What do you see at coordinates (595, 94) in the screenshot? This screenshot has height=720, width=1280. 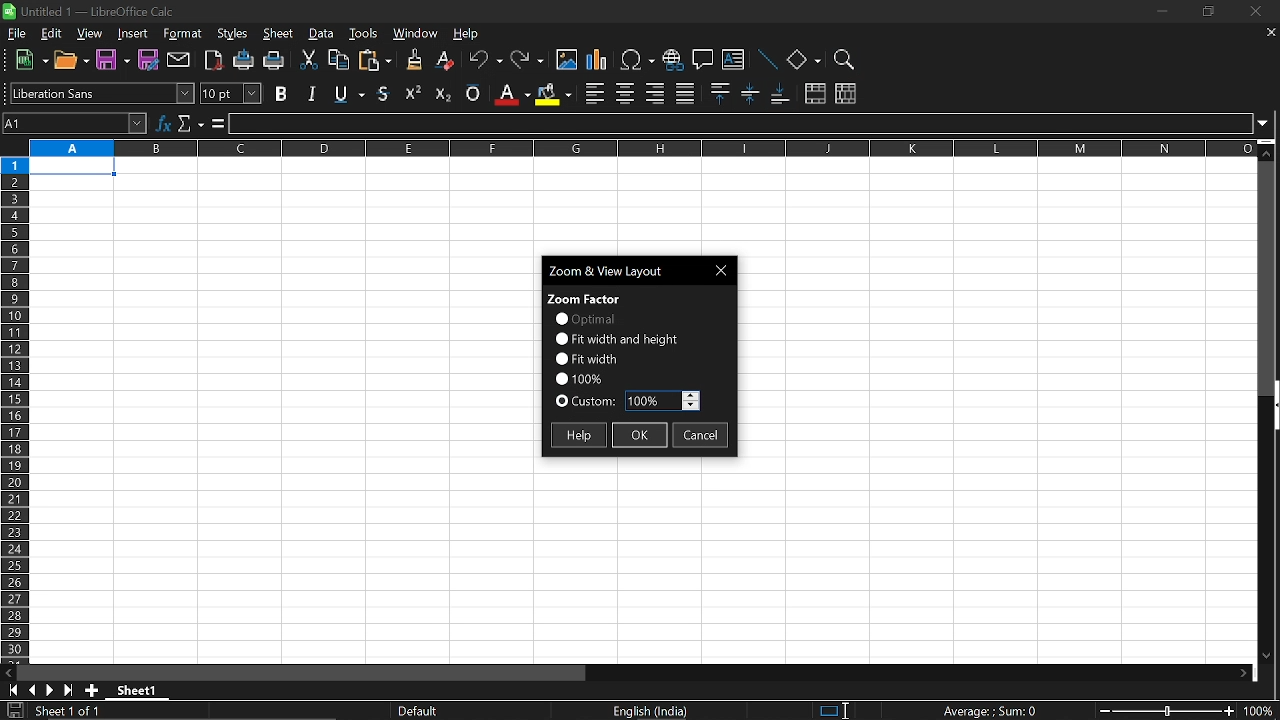 I see `align left` at bounding box center [595, 94].